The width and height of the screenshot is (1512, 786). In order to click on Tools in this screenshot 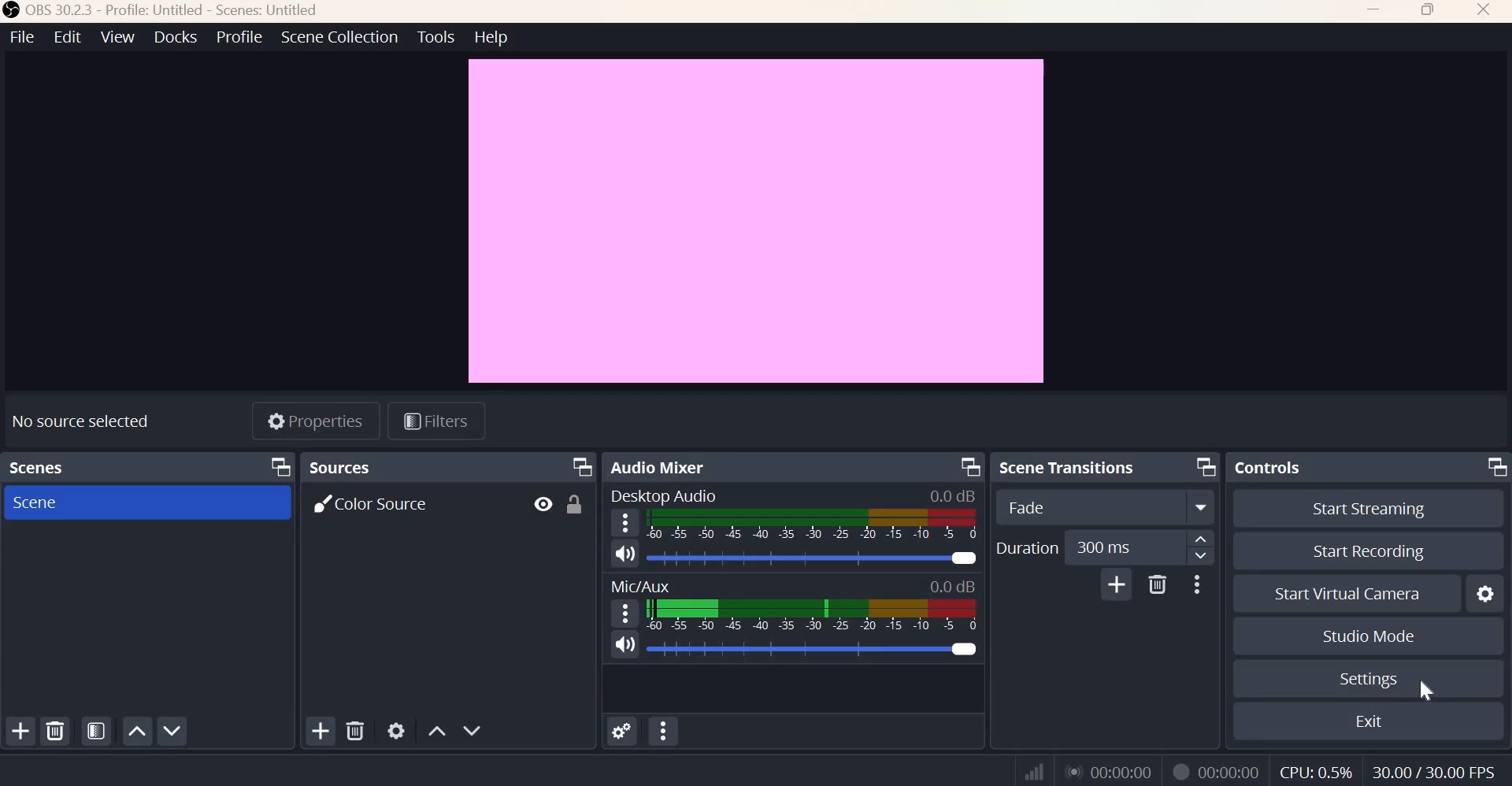, I will do `click(435, 36)`.